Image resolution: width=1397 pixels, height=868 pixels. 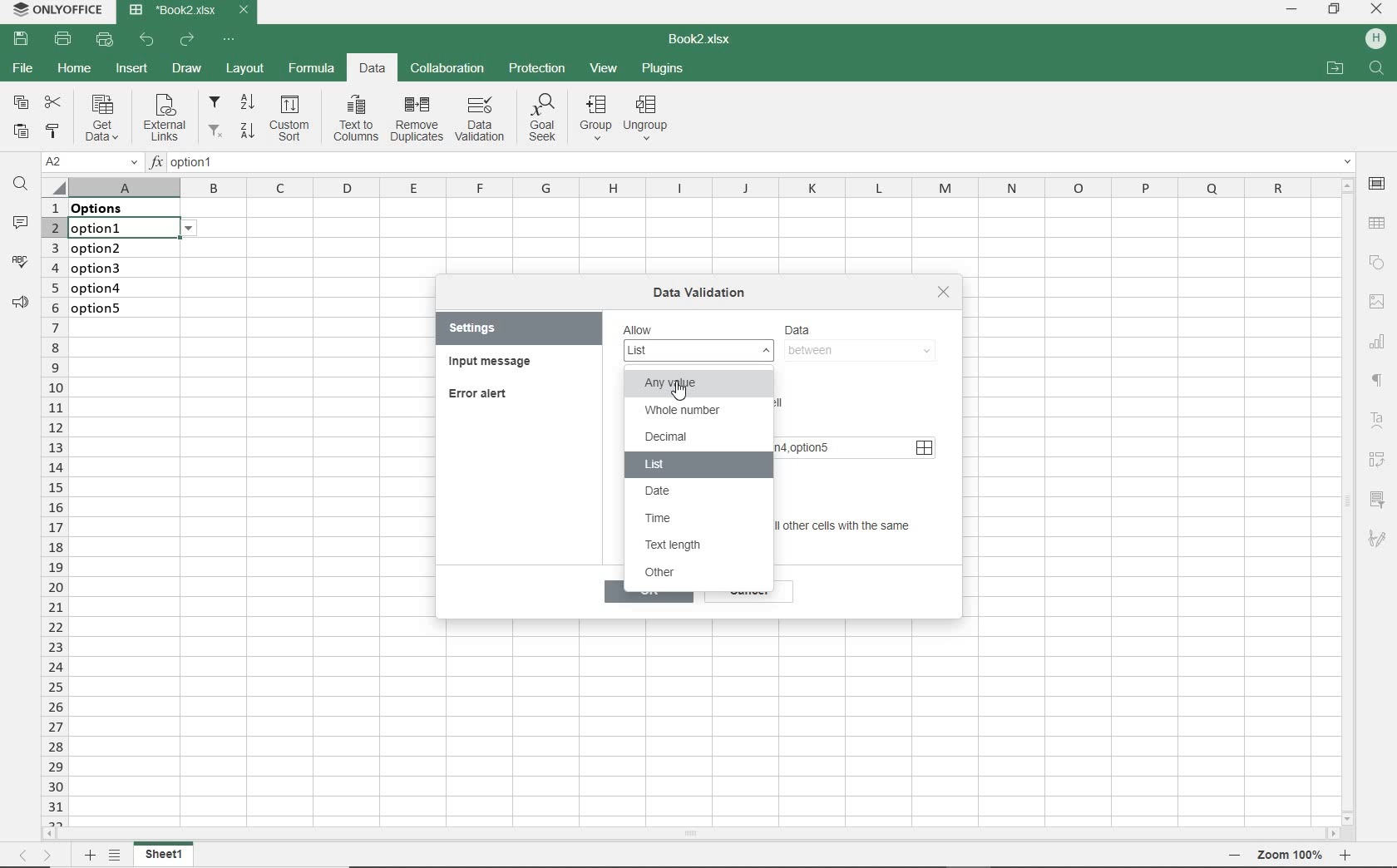 What do you see at coordinates (705, 291) in the screenshot?
I see `DATA VALIDATION` at bounding box center [705, 291].